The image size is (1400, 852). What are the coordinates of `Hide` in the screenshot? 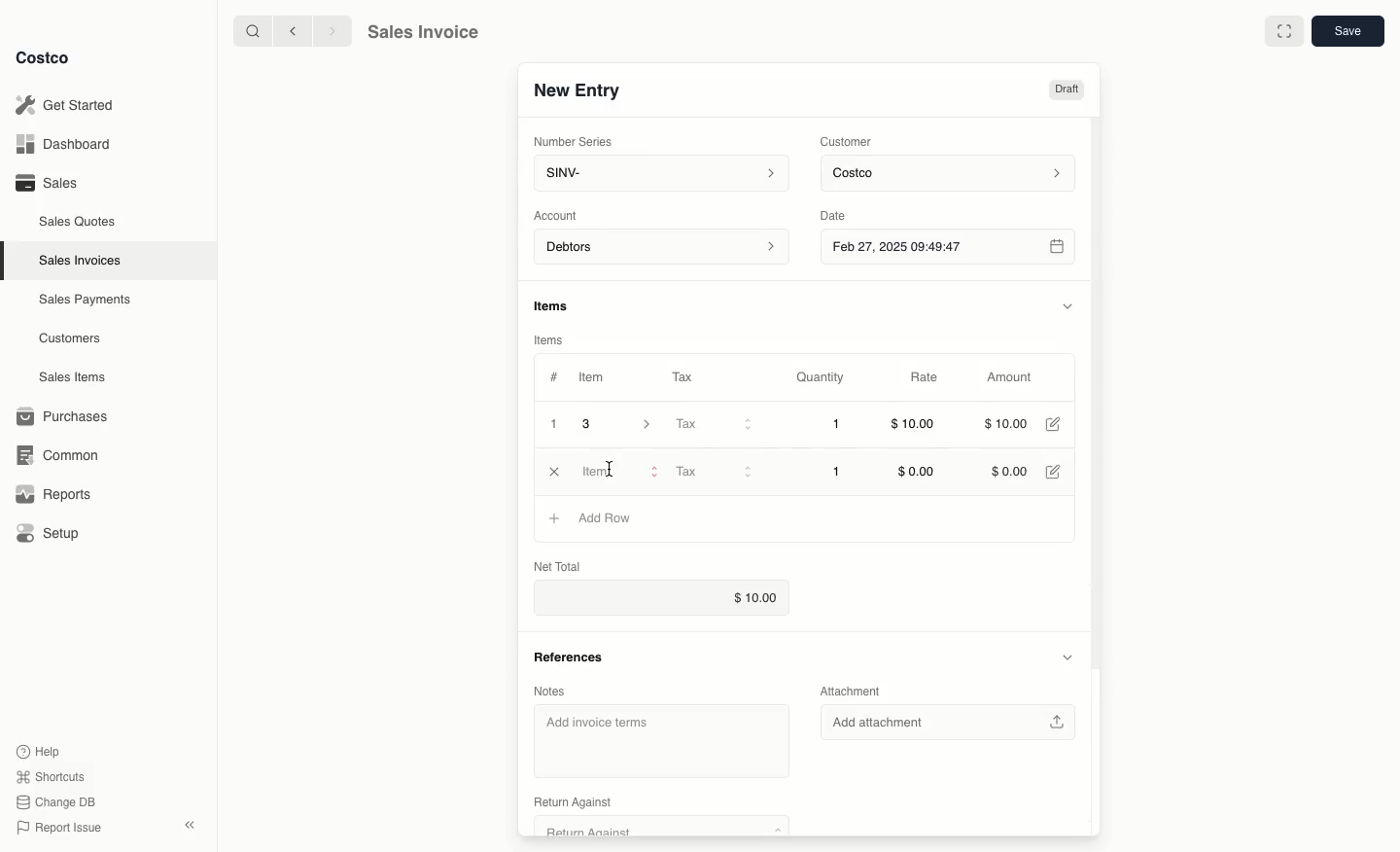 It's located at (1066, 655).